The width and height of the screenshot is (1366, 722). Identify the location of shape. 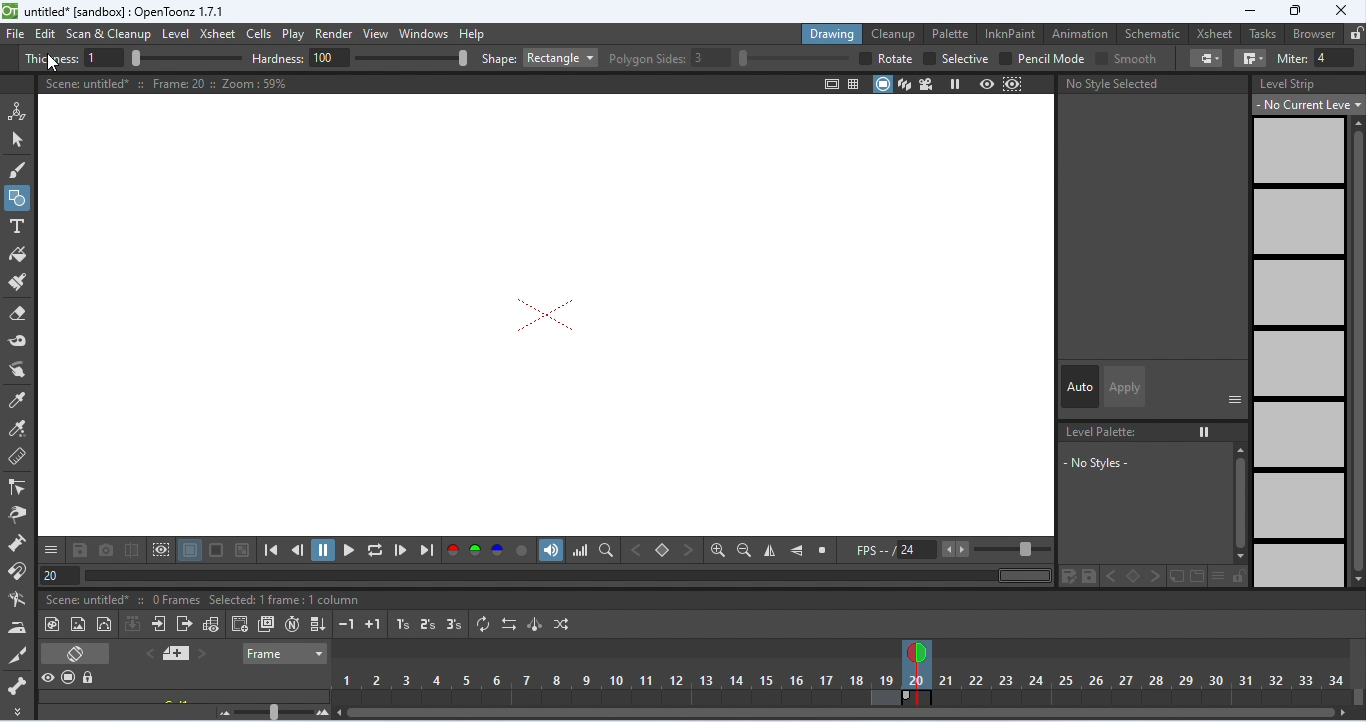
(499, 58).